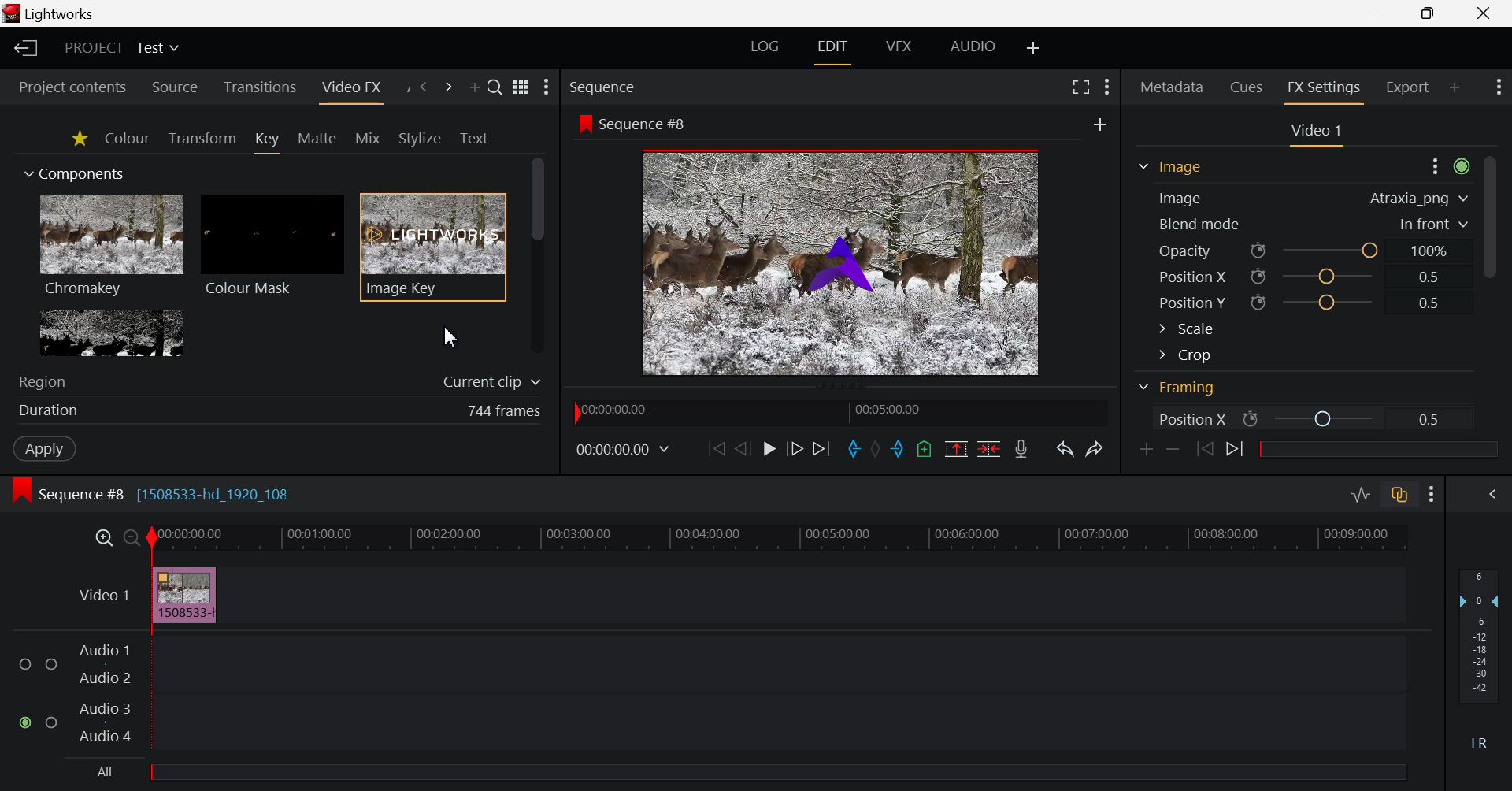 This screenshot has width=1512, height=791. Describe the element at coordinates (65, 85) in the screenshot. I see `Project contents` at that location.